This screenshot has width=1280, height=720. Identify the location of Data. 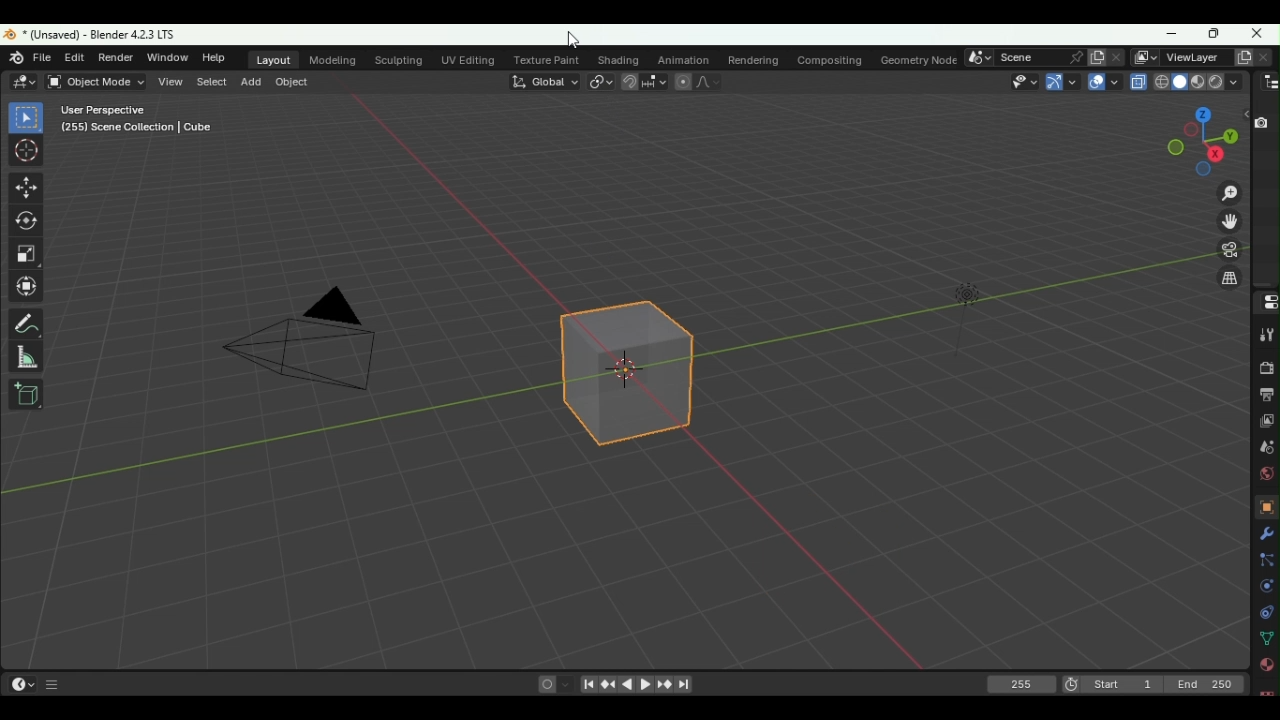
(1268, 637).